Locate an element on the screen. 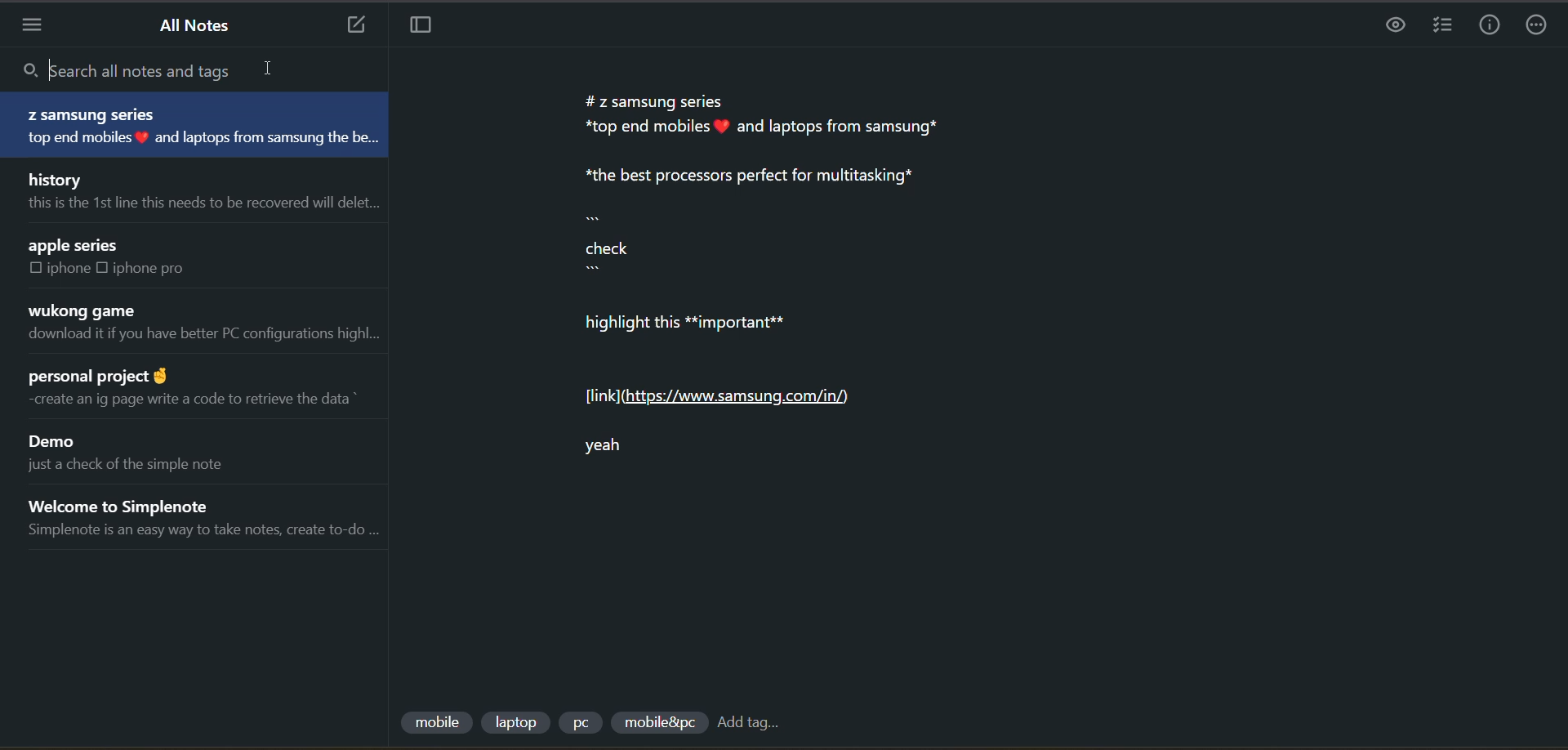  checkbox is located at coordinates (102, 267).